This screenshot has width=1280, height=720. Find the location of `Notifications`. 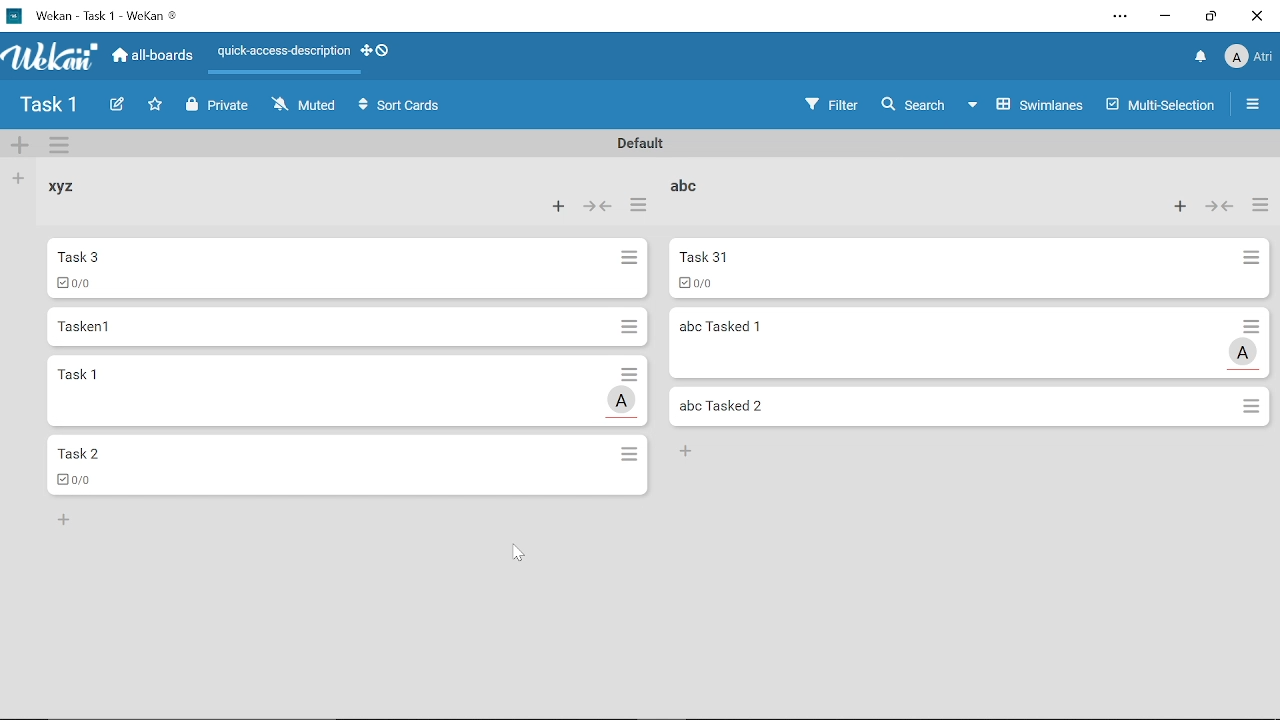

Notifications is located at coordinates (1201, 58).